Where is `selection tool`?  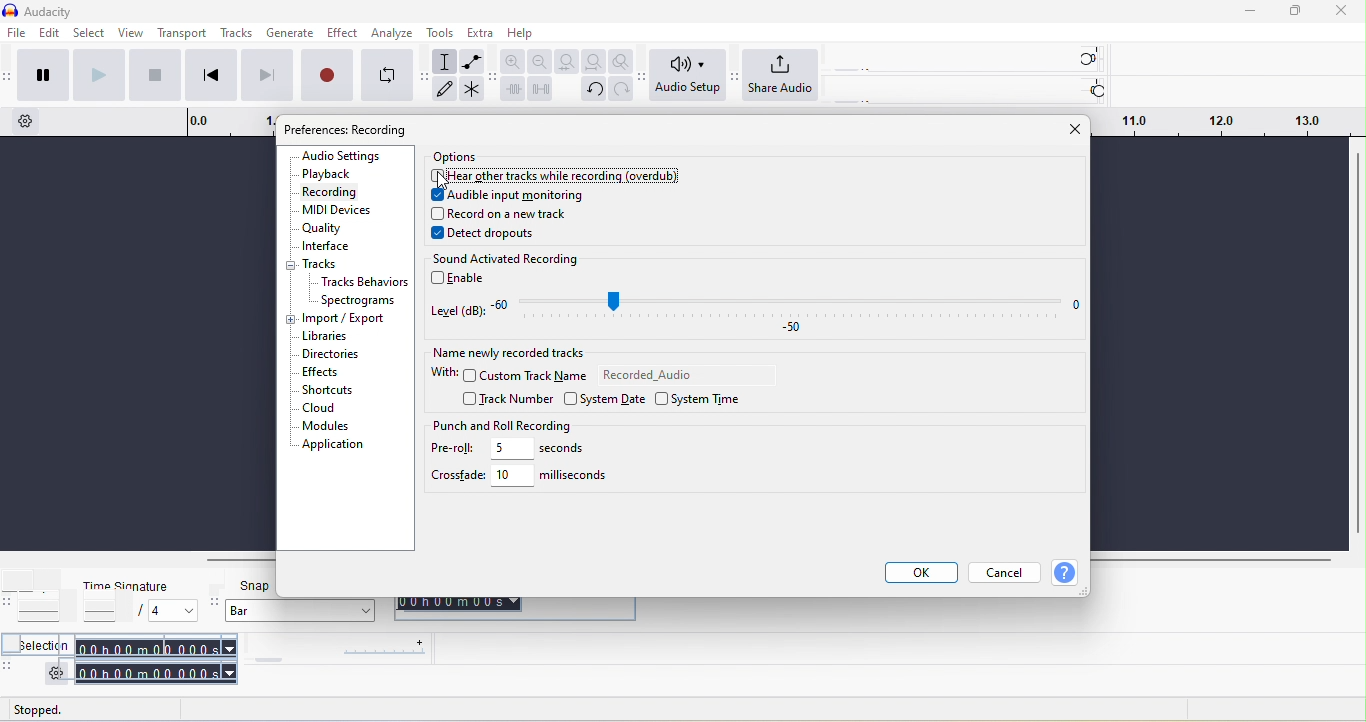
selection tool is located at coordinates (447, 60).